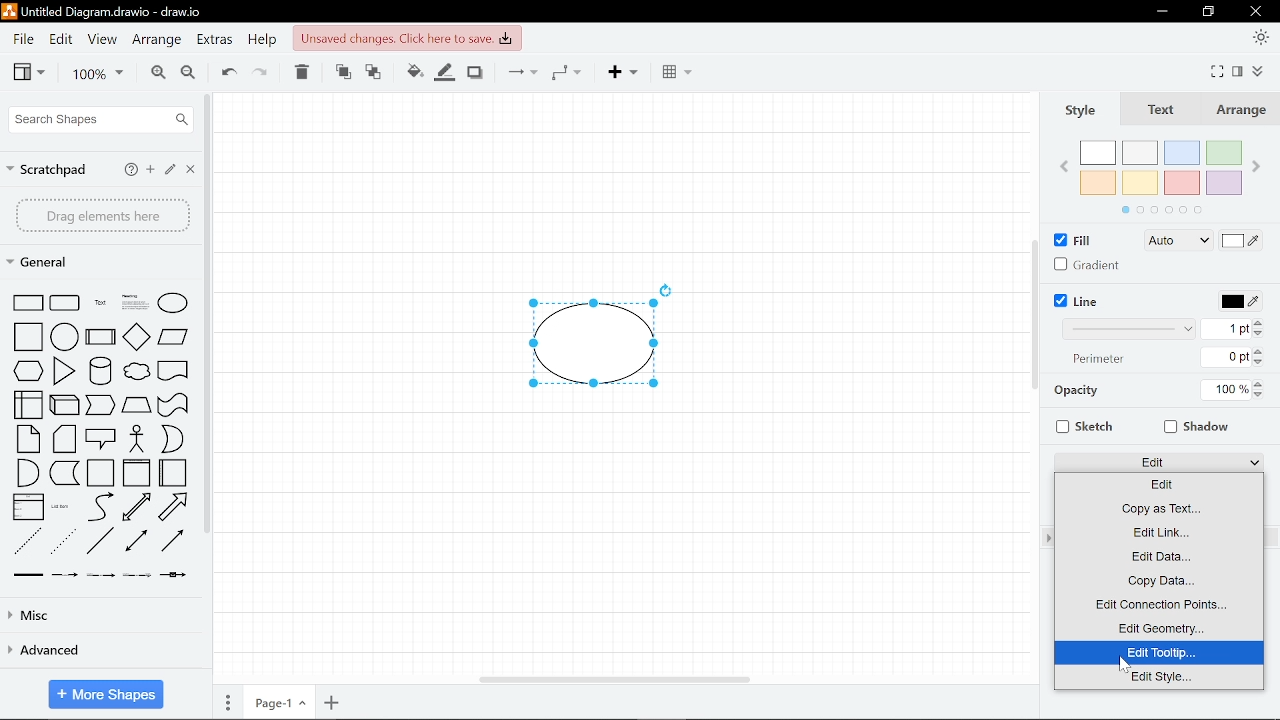 This screenshot has width=1280, height=720. I want to click on container, so click(100, 473).